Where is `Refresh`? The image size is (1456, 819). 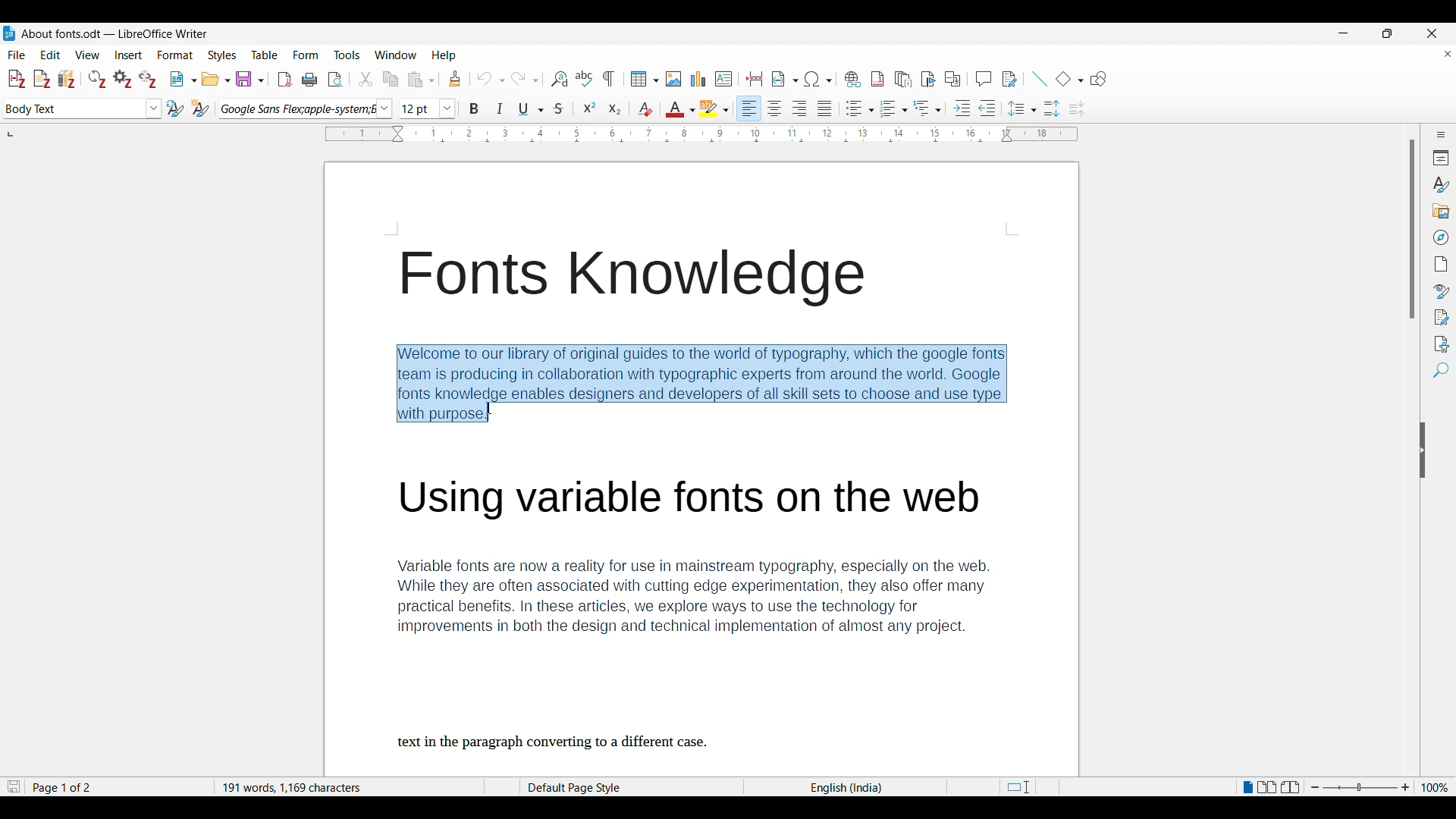 Refresh is located at coordinates (97, 79).